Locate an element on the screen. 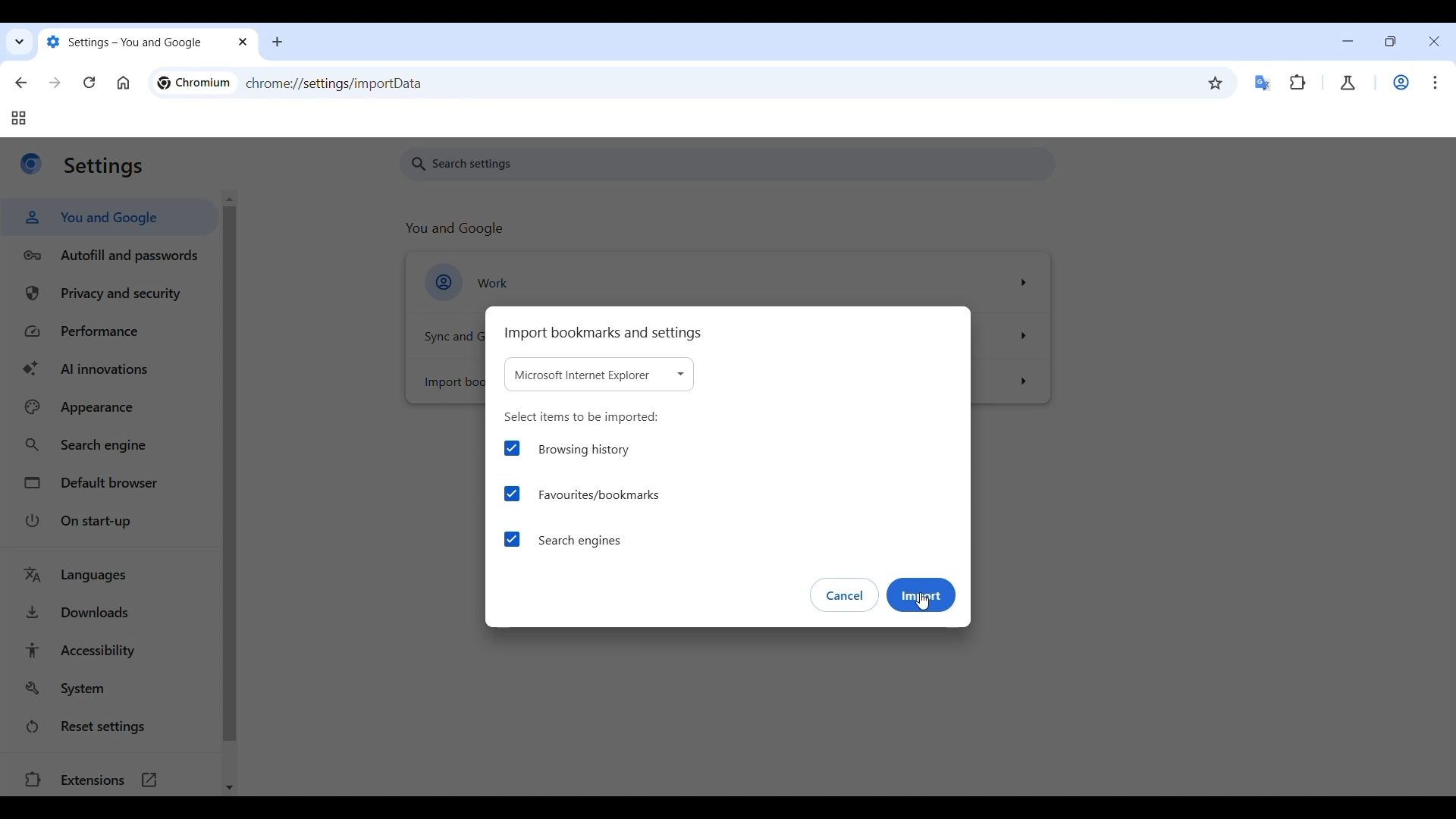 The width and height of the screenshot is (1456, 819). settings- you and google is located at coordinates (130, 42).